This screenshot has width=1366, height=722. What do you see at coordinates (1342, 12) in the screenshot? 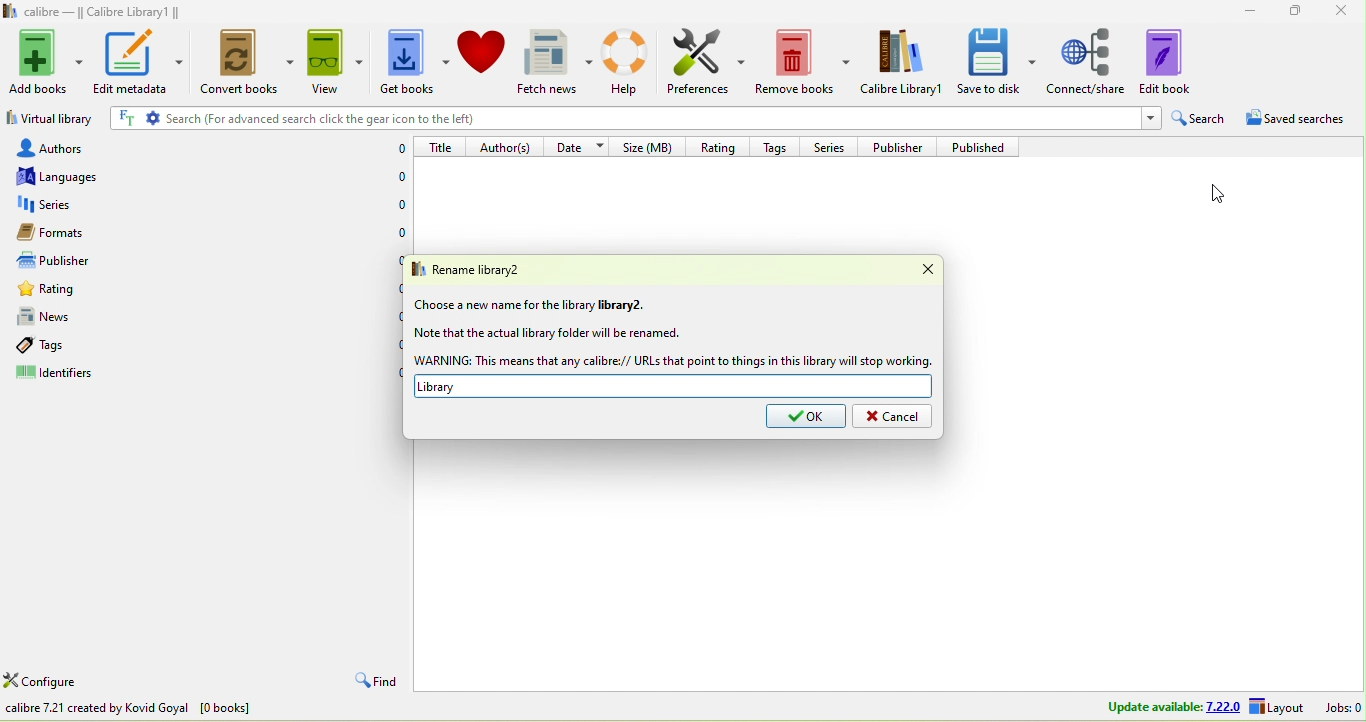
I see `close` at bounding box center [1342, 12].